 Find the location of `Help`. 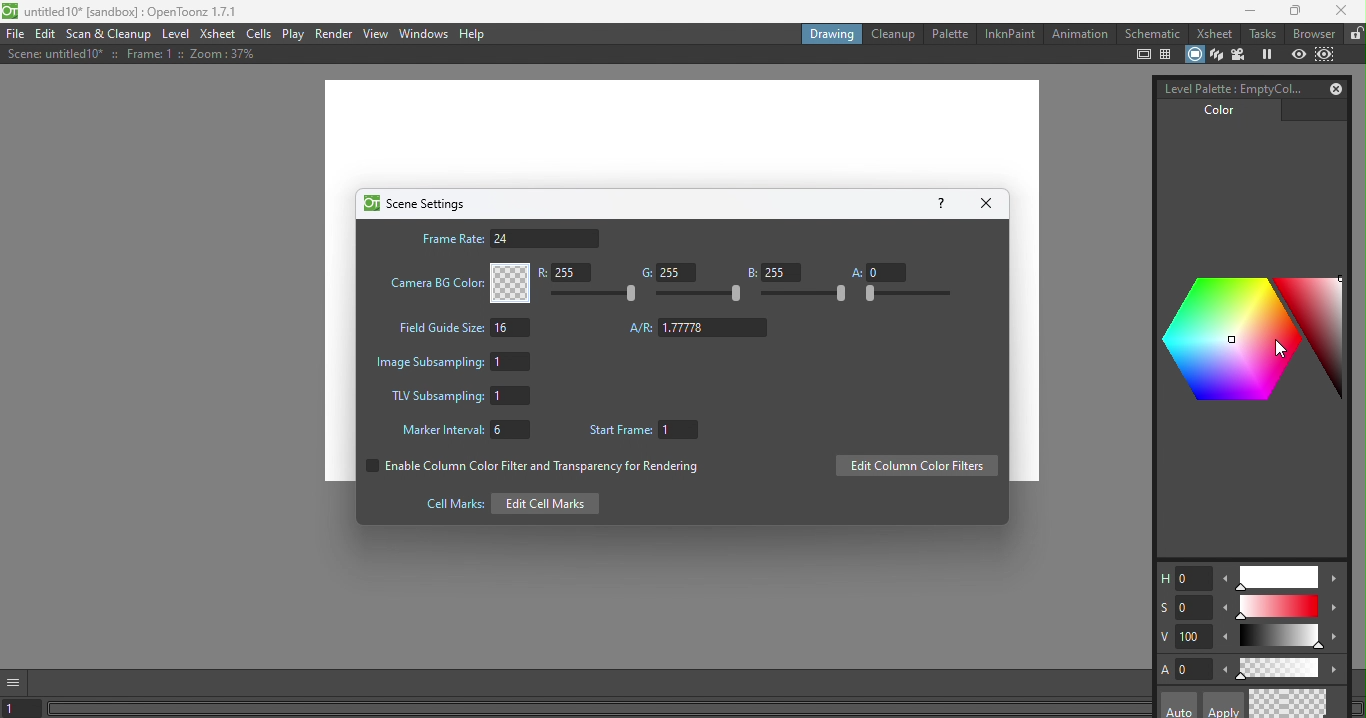

Help is located at coordinates (475, 34).